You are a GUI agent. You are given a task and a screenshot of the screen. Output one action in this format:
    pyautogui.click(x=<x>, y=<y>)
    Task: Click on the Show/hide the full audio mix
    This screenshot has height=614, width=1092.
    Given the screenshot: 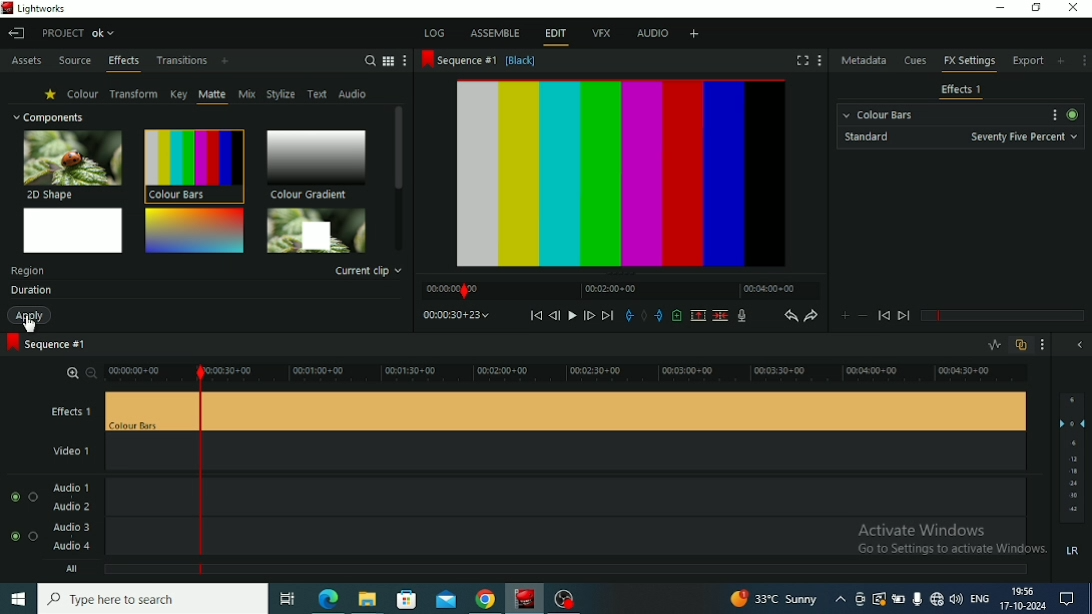 What is the action you would take?
    pyautogui.click(x=1079, y=346)
    